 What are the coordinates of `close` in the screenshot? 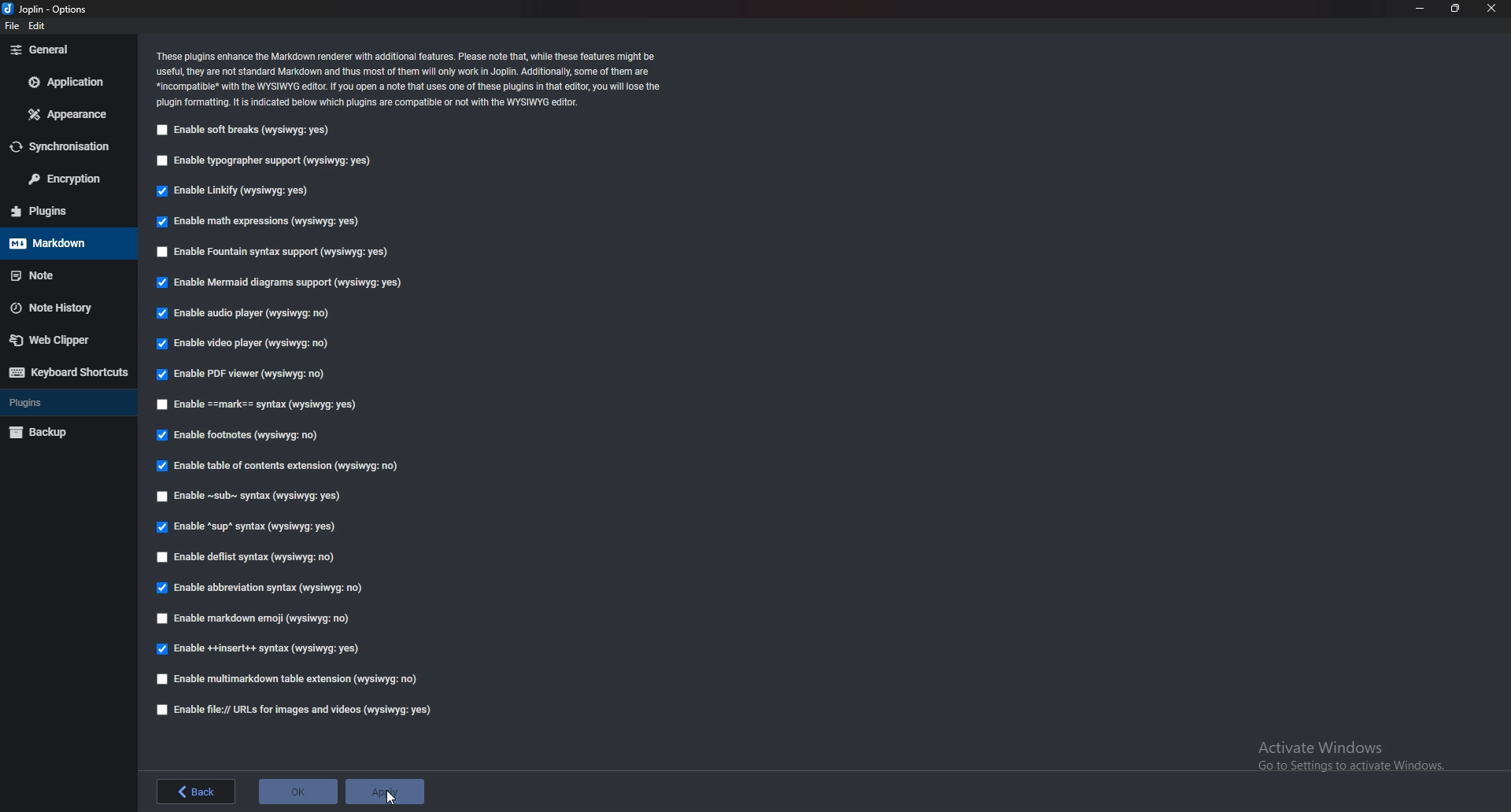 It's located at (1492, 9).